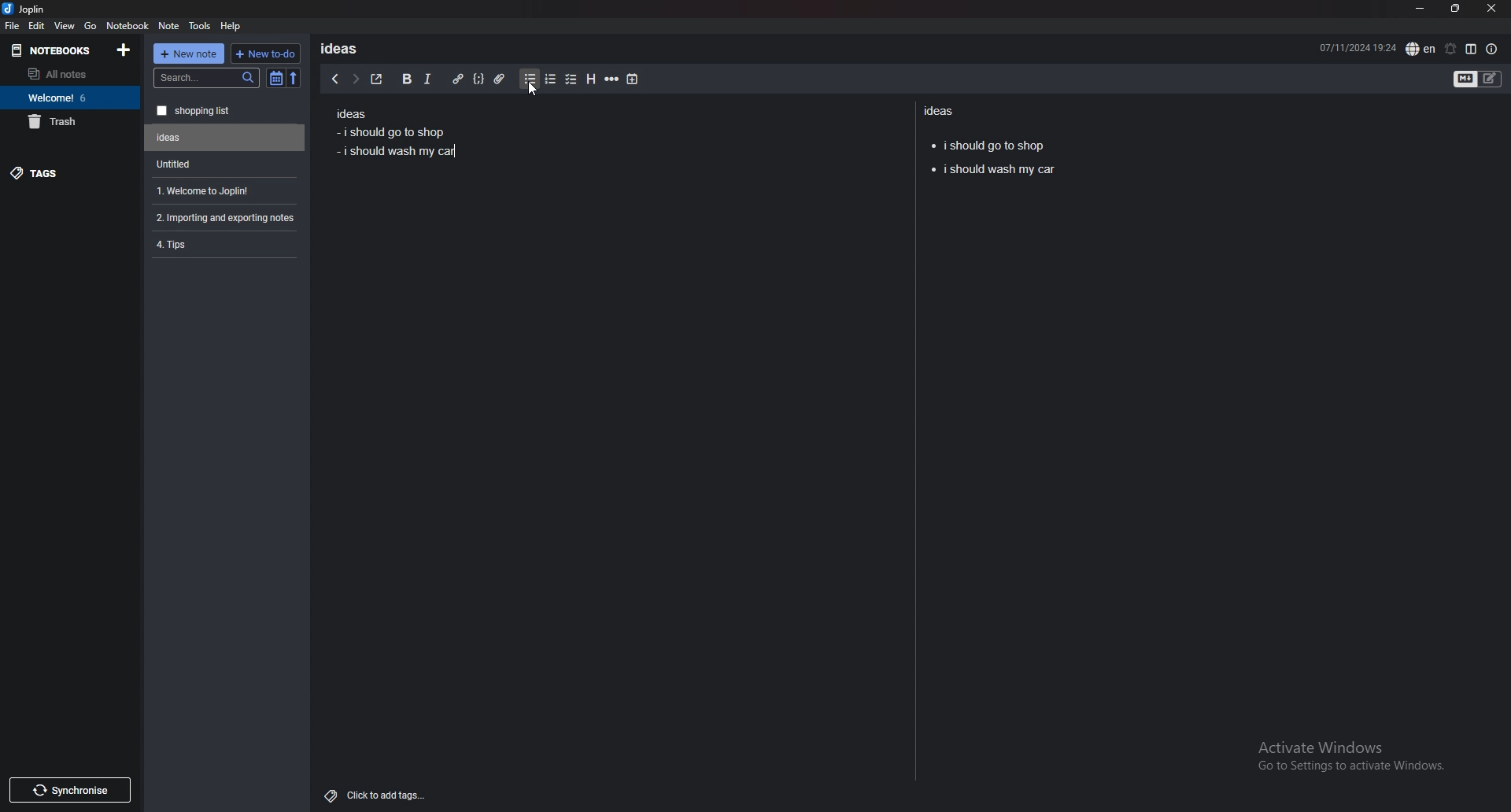  Describe the element at coordinates (589, 79) in the screenshot. I see `heading` at that location.